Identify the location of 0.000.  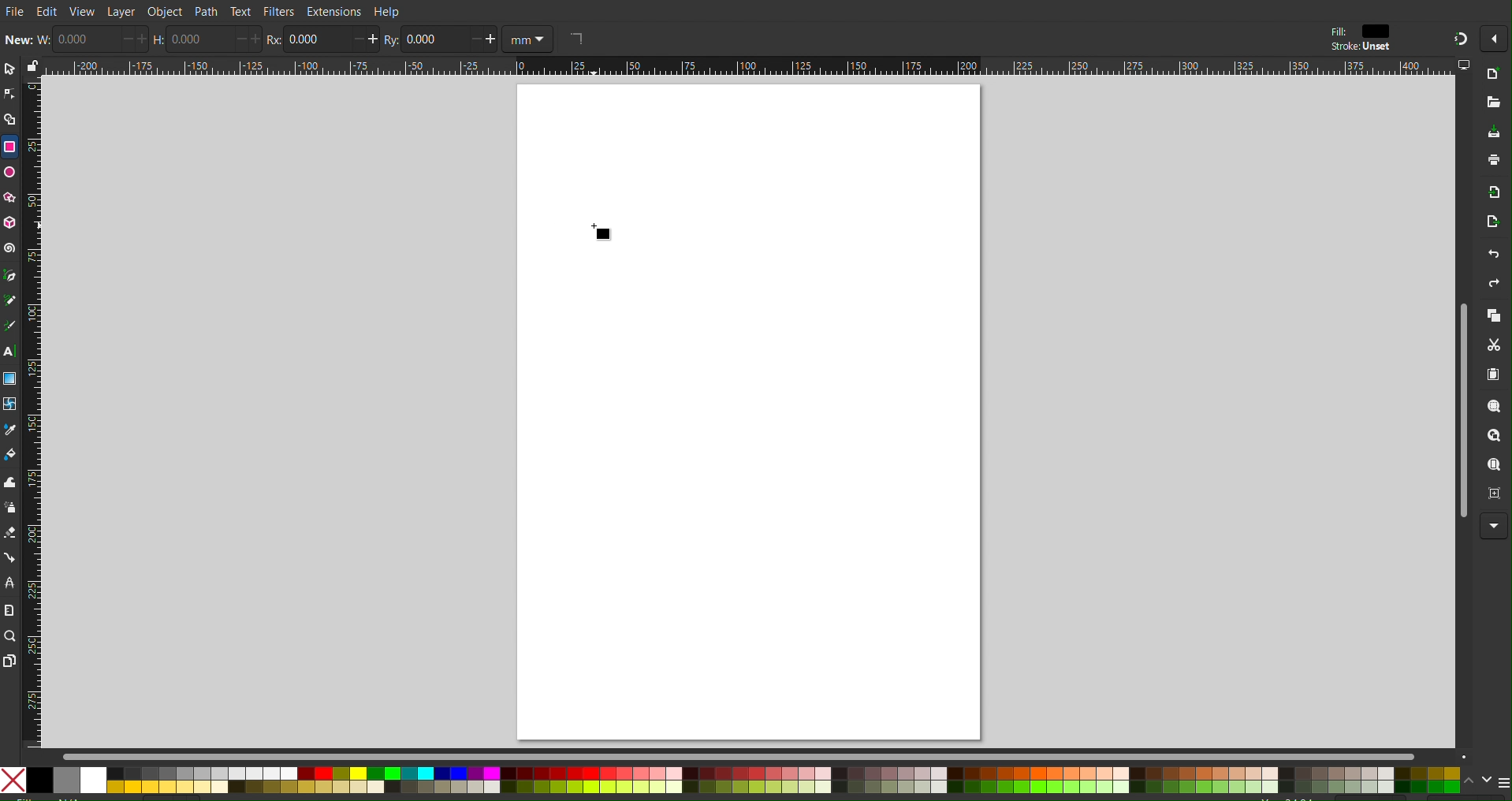
(316, 41).